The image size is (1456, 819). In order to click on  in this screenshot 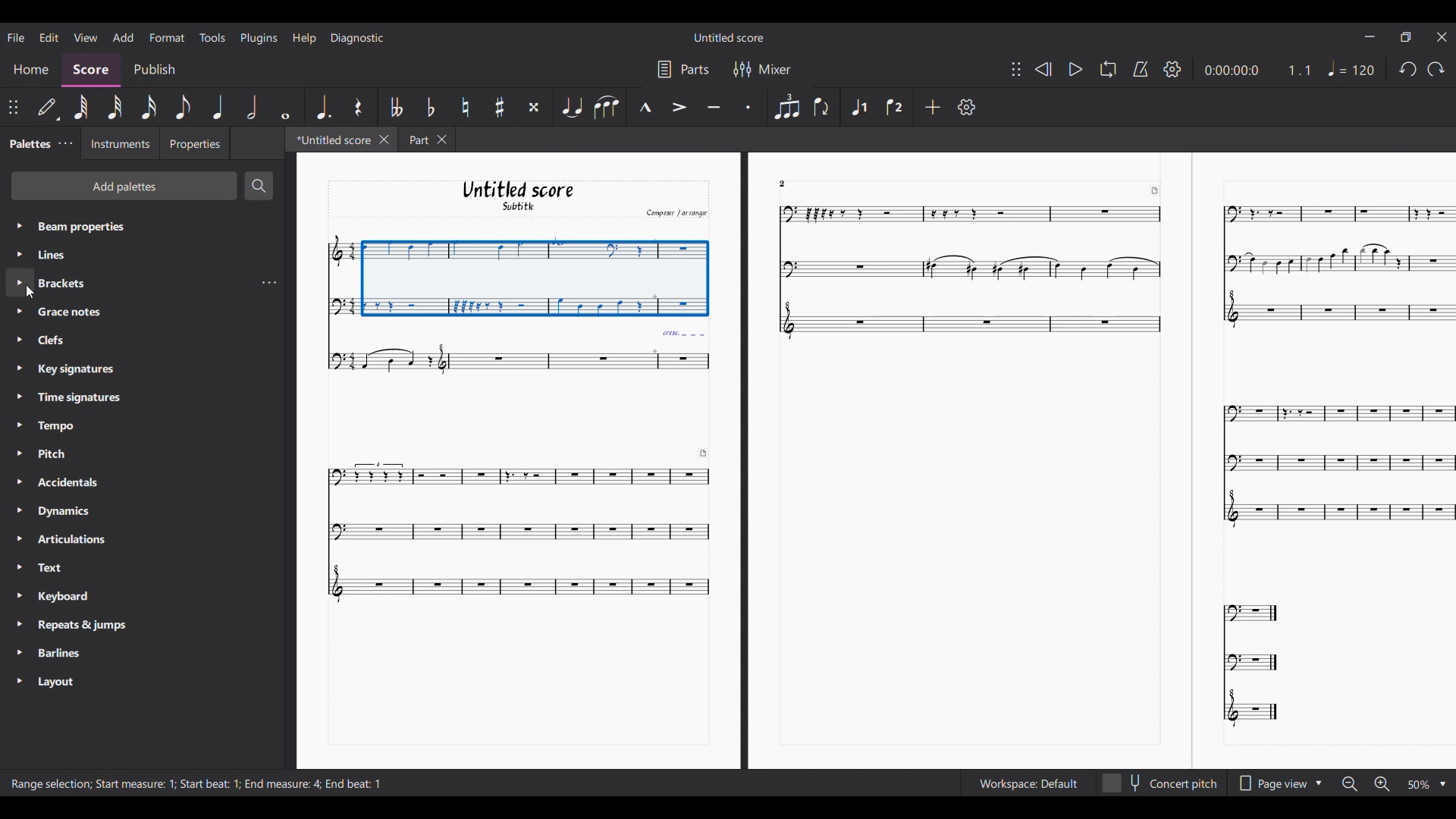, I will do `click(16, 598)`.